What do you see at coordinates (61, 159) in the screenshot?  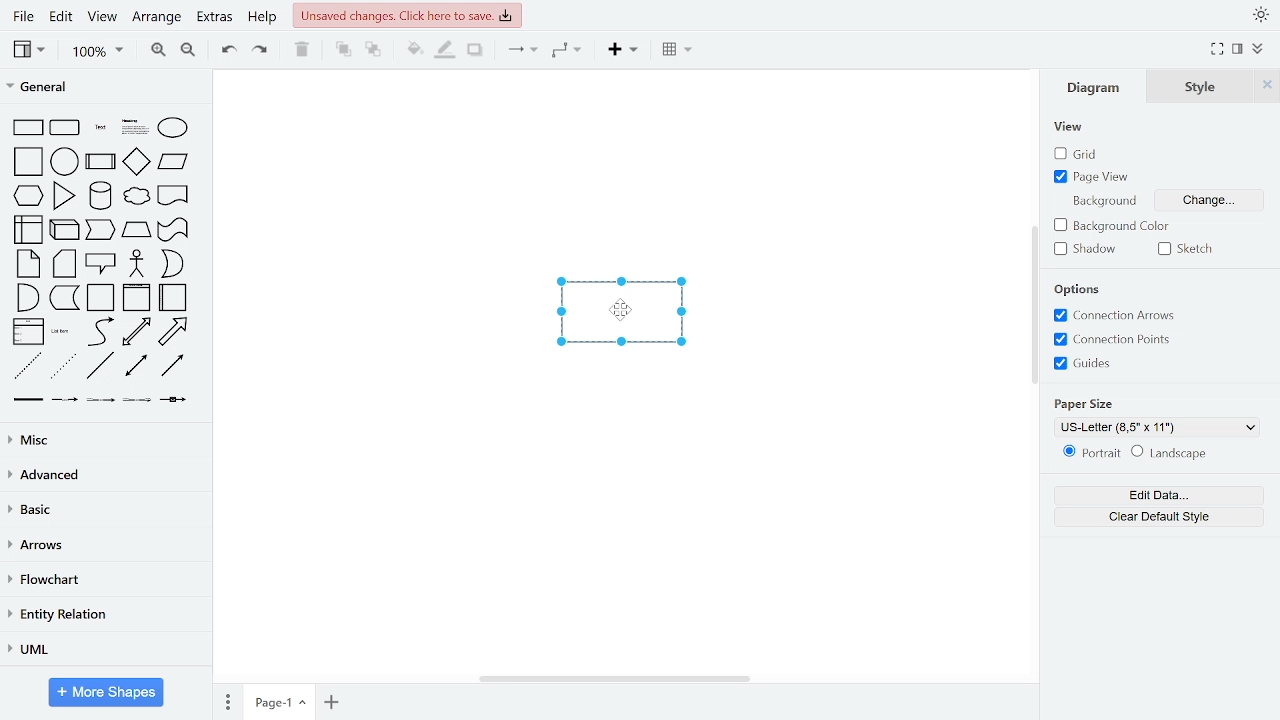 I see `general shapes` at bounding box center [61, 159].